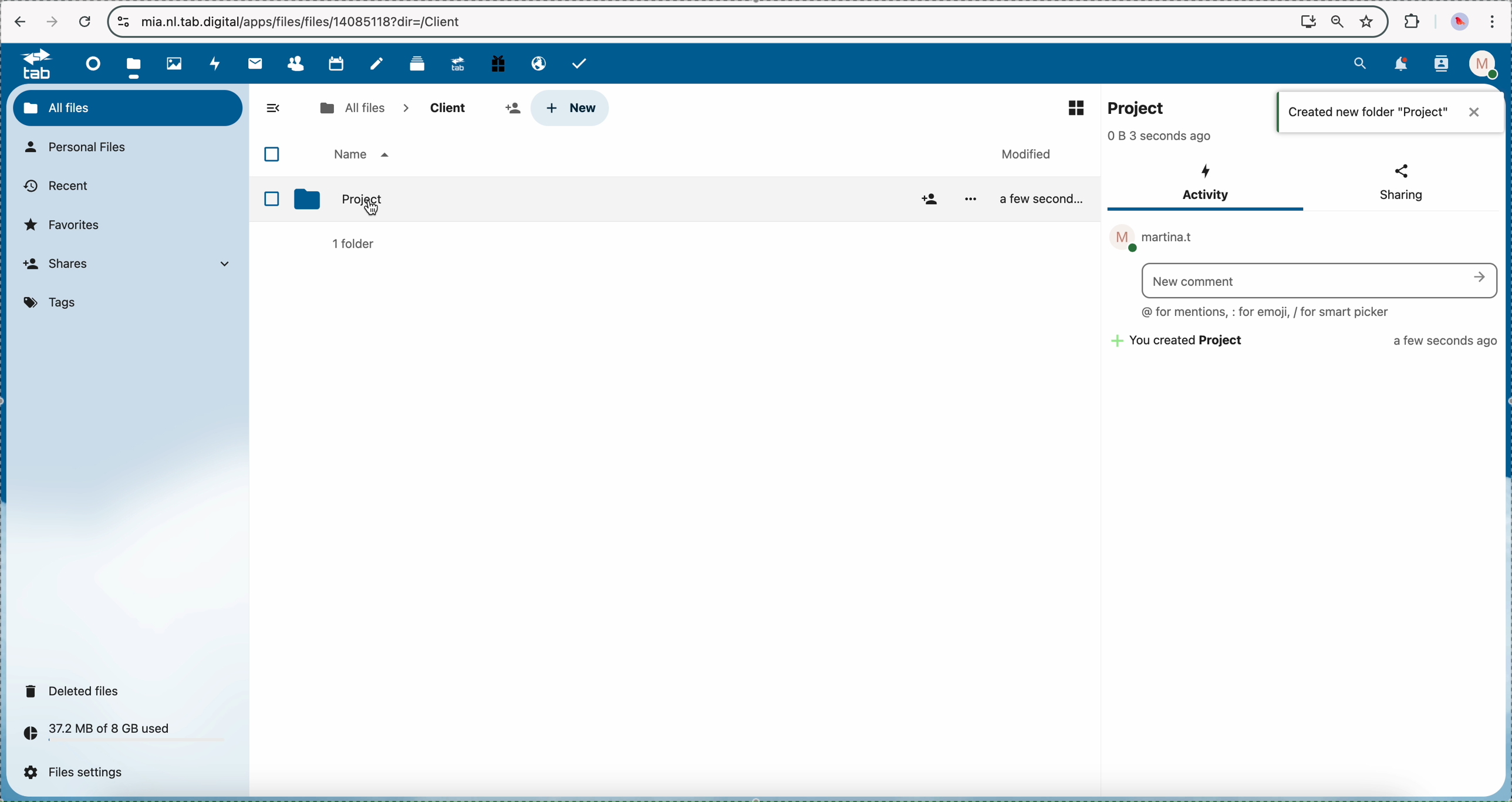 Image resolution: width=1512 pixels, height=802 pixels. Describe the element at coordinates (512, 107) in the screenshot. I see `share` at that location.